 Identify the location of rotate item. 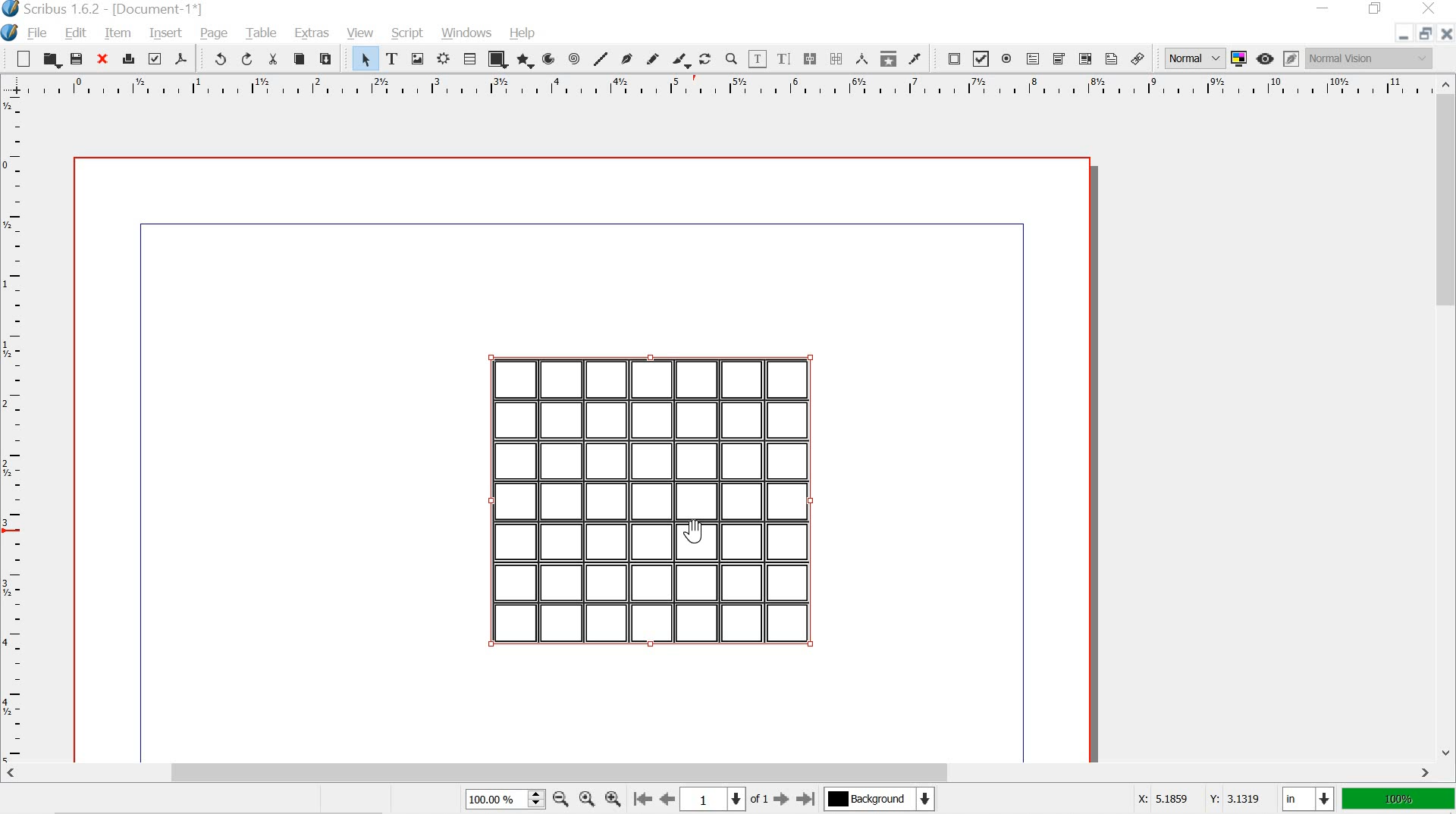
(704, 59).